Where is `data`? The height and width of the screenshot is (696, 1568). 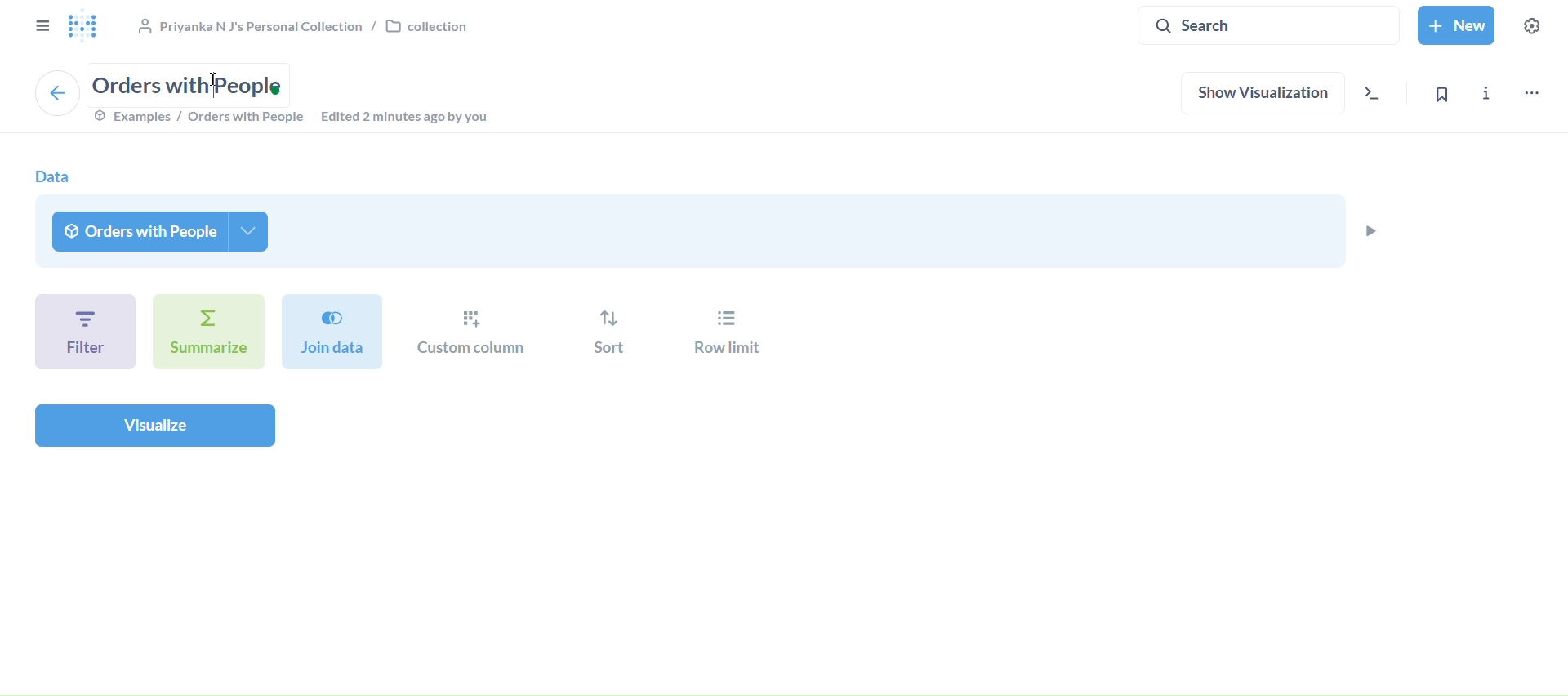 data is located at coordinates (52, 176).